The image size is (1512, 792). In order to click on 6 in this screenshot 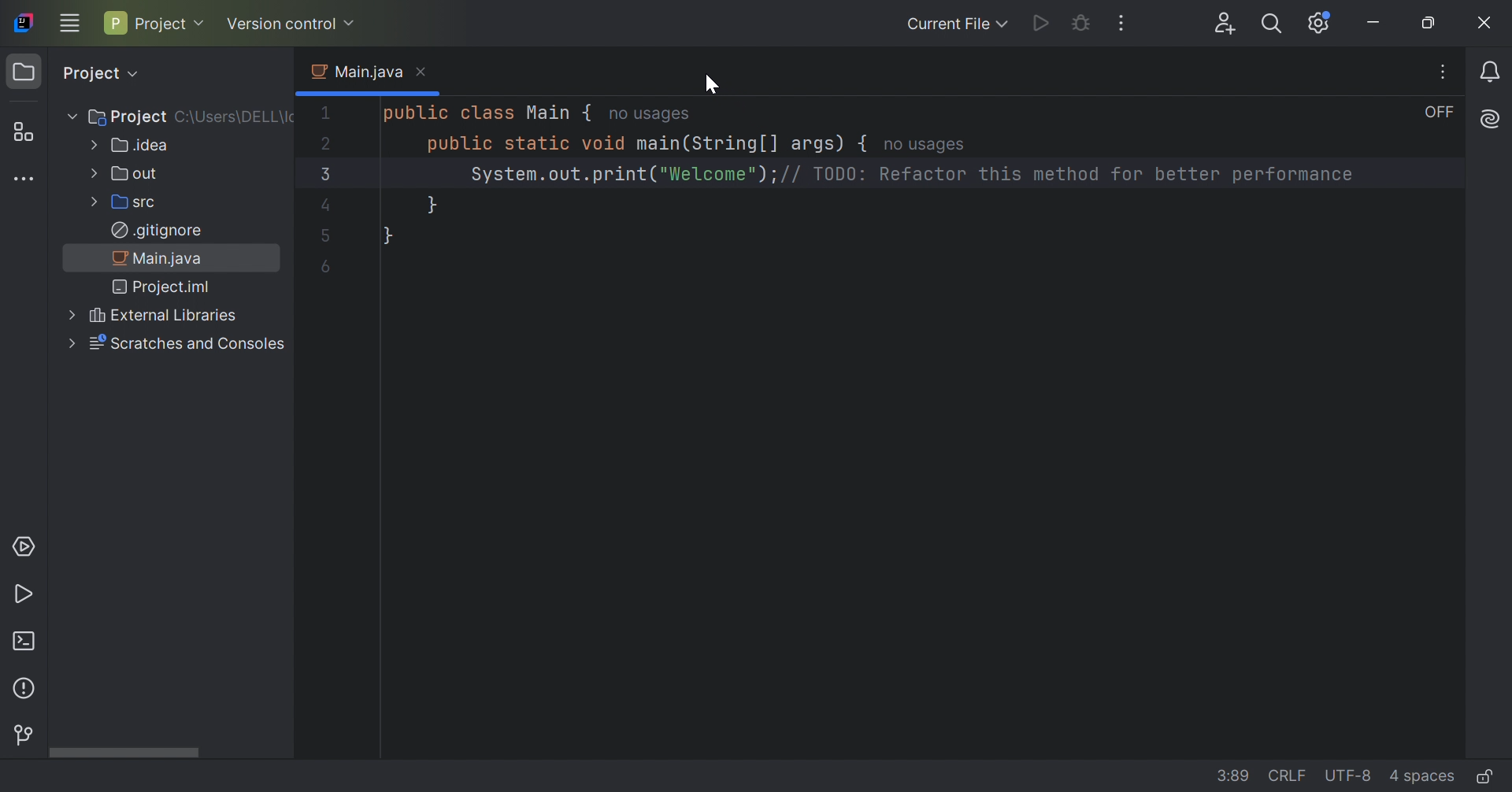, I will do `click(325, 267)`.